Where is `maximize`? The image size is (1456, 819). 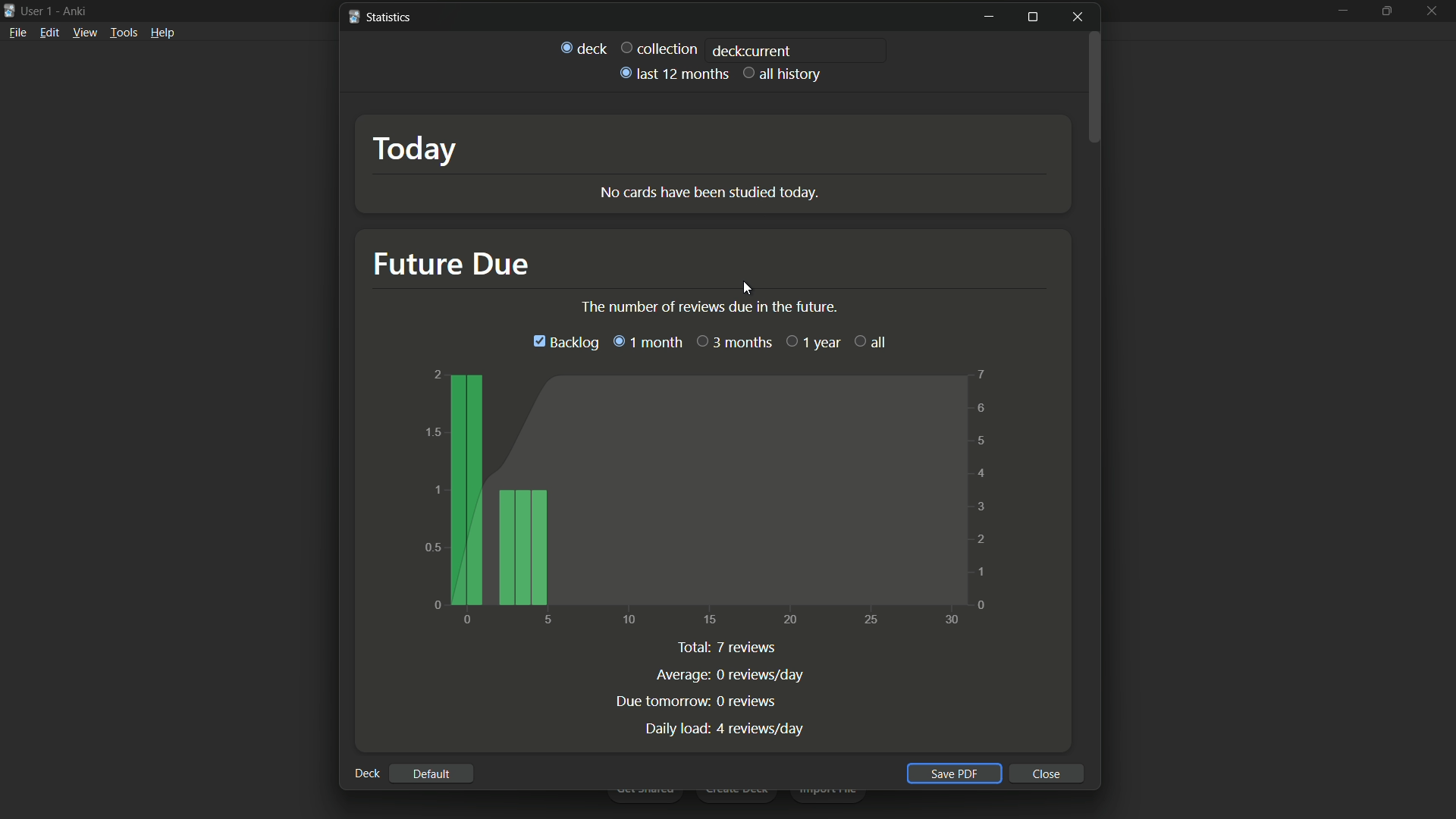
maximize is located at coordinates (1034, 18).